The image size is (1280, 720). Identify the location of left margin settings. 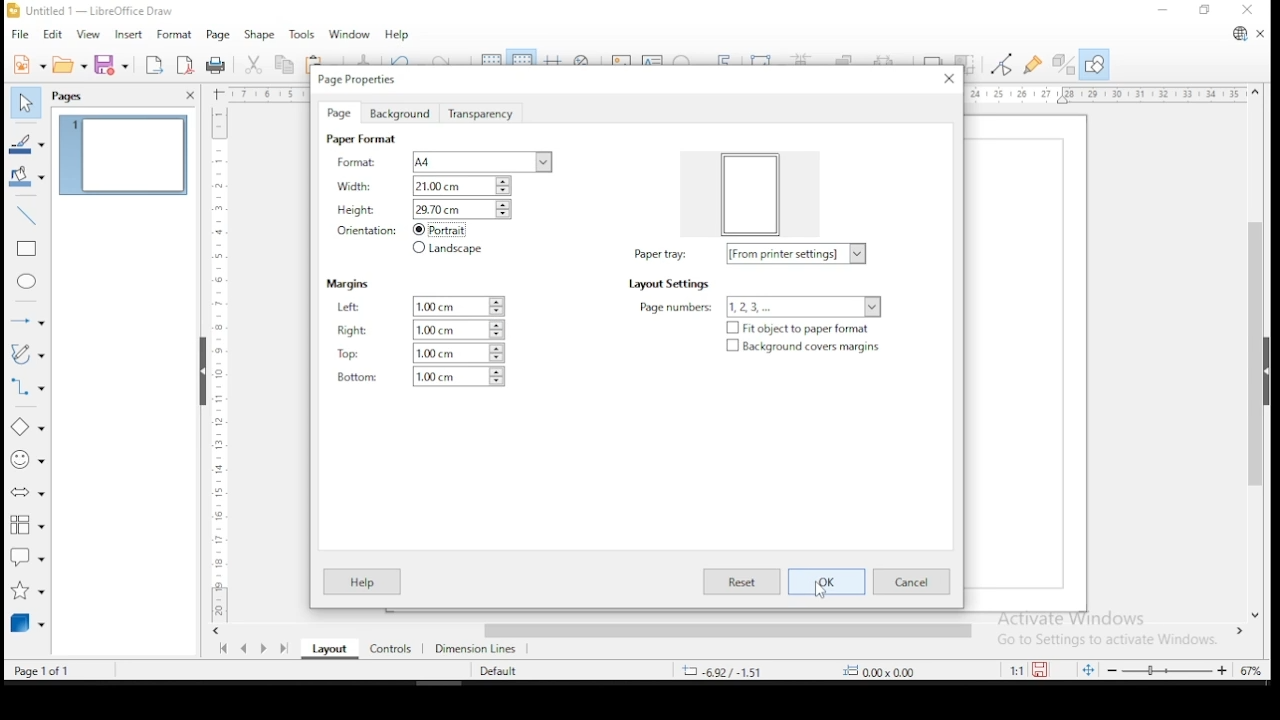
(420, 307).